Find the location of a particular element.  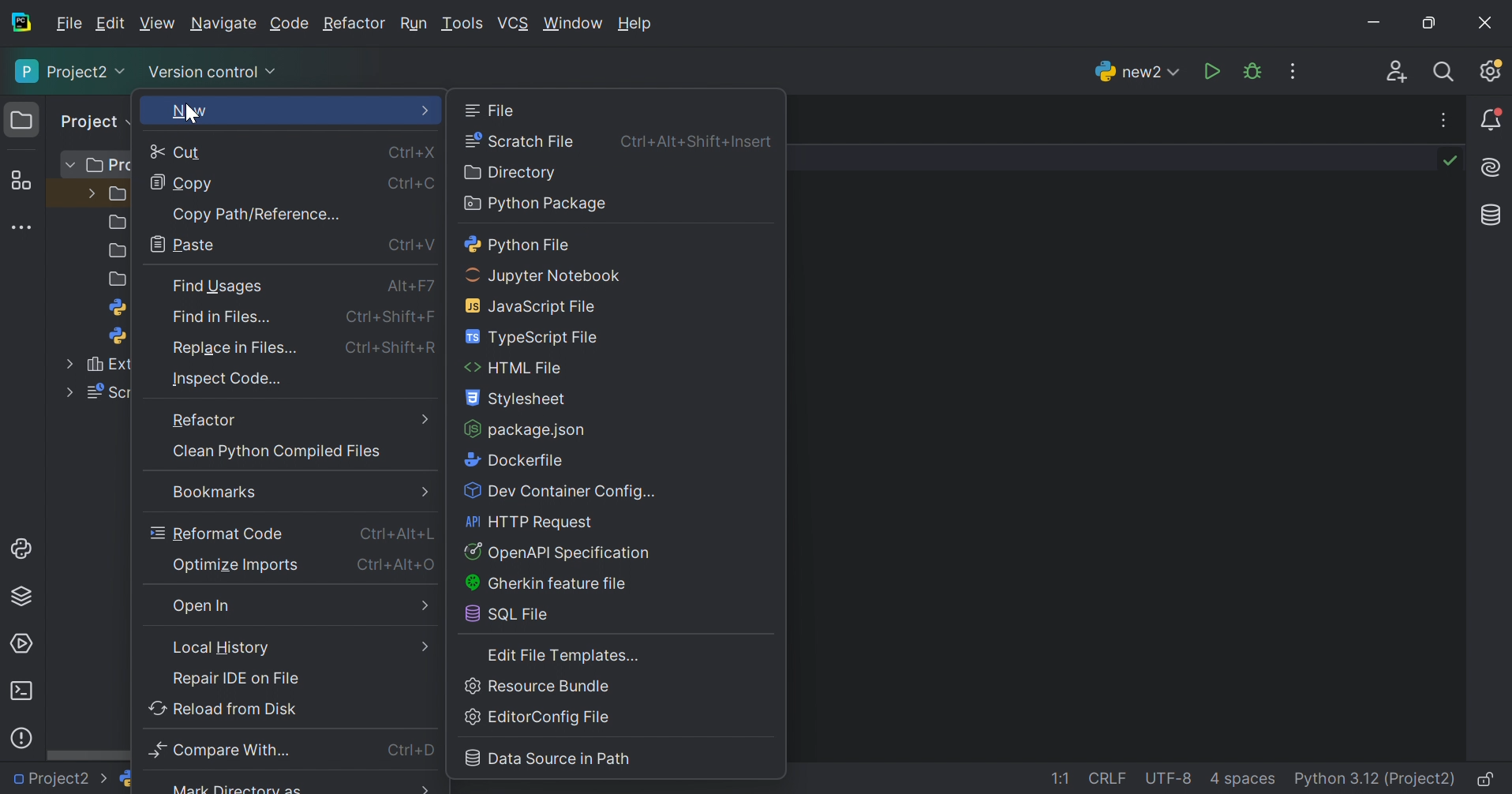

Run is located at coordinates (413, 24).